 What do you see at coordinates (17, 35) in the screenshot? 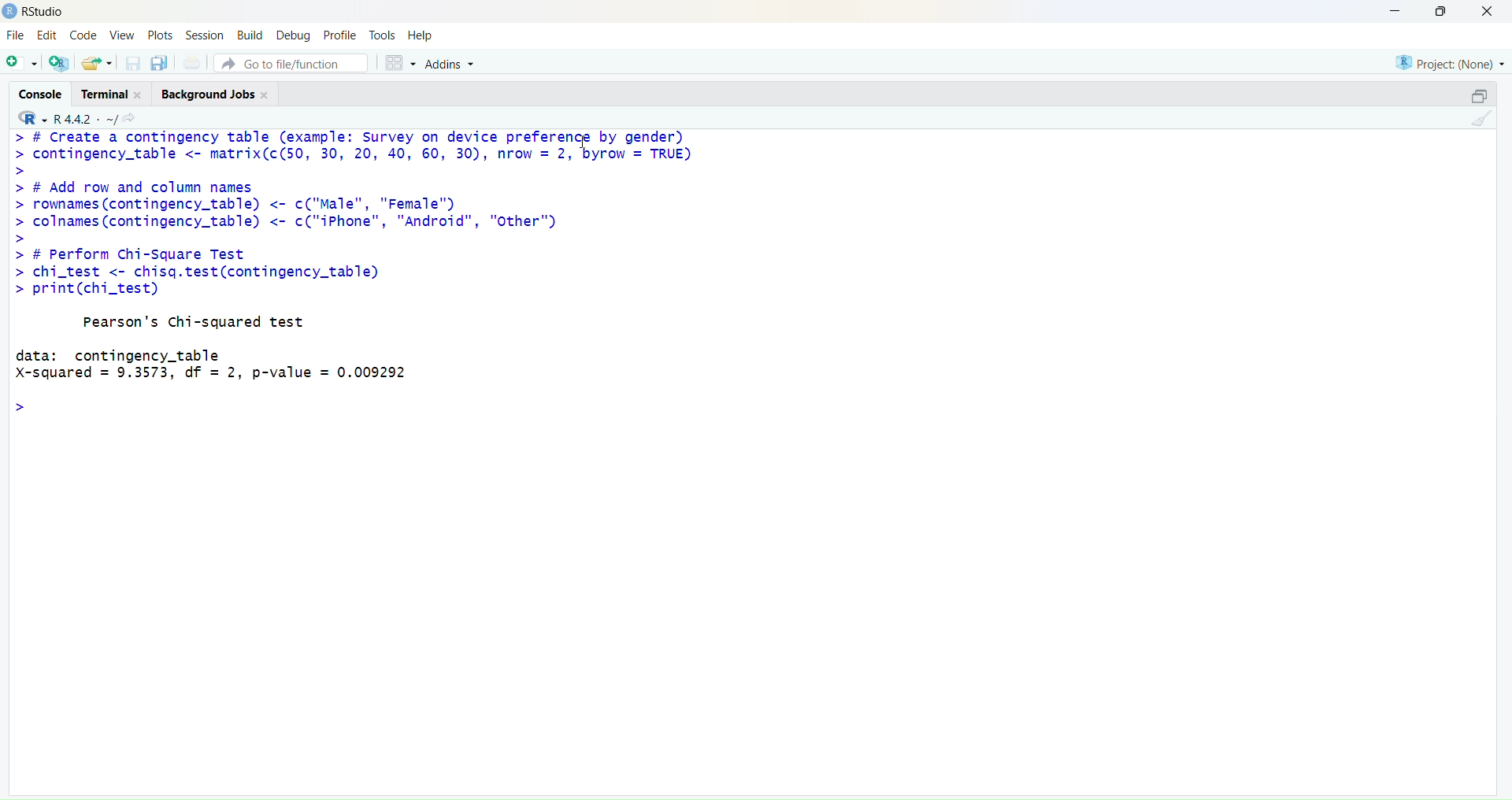
I see `File` at bounding box center [17, 35].